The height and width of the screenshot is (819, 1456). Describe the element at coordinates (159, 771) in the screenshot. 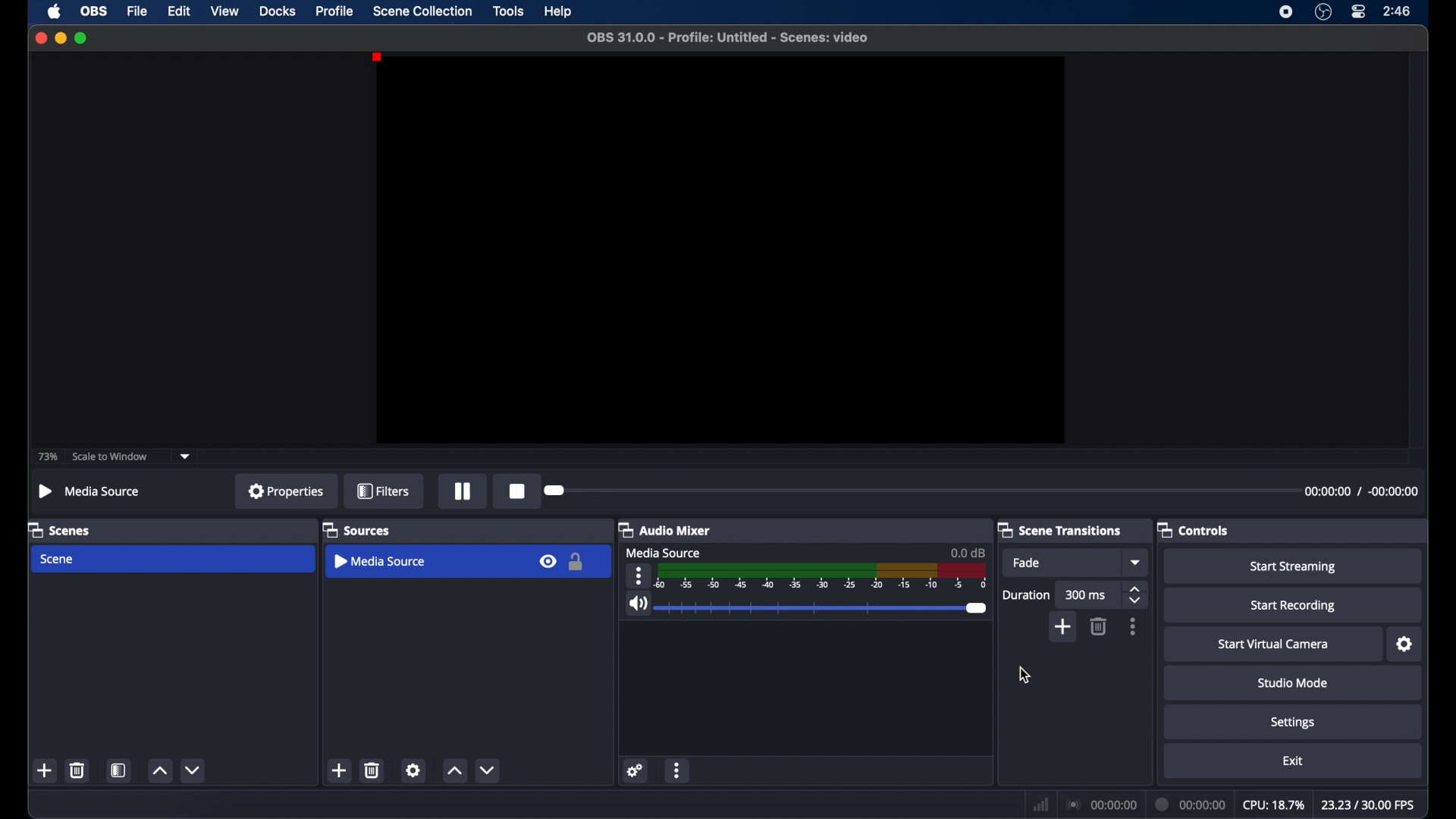

I see `increment` at that location.